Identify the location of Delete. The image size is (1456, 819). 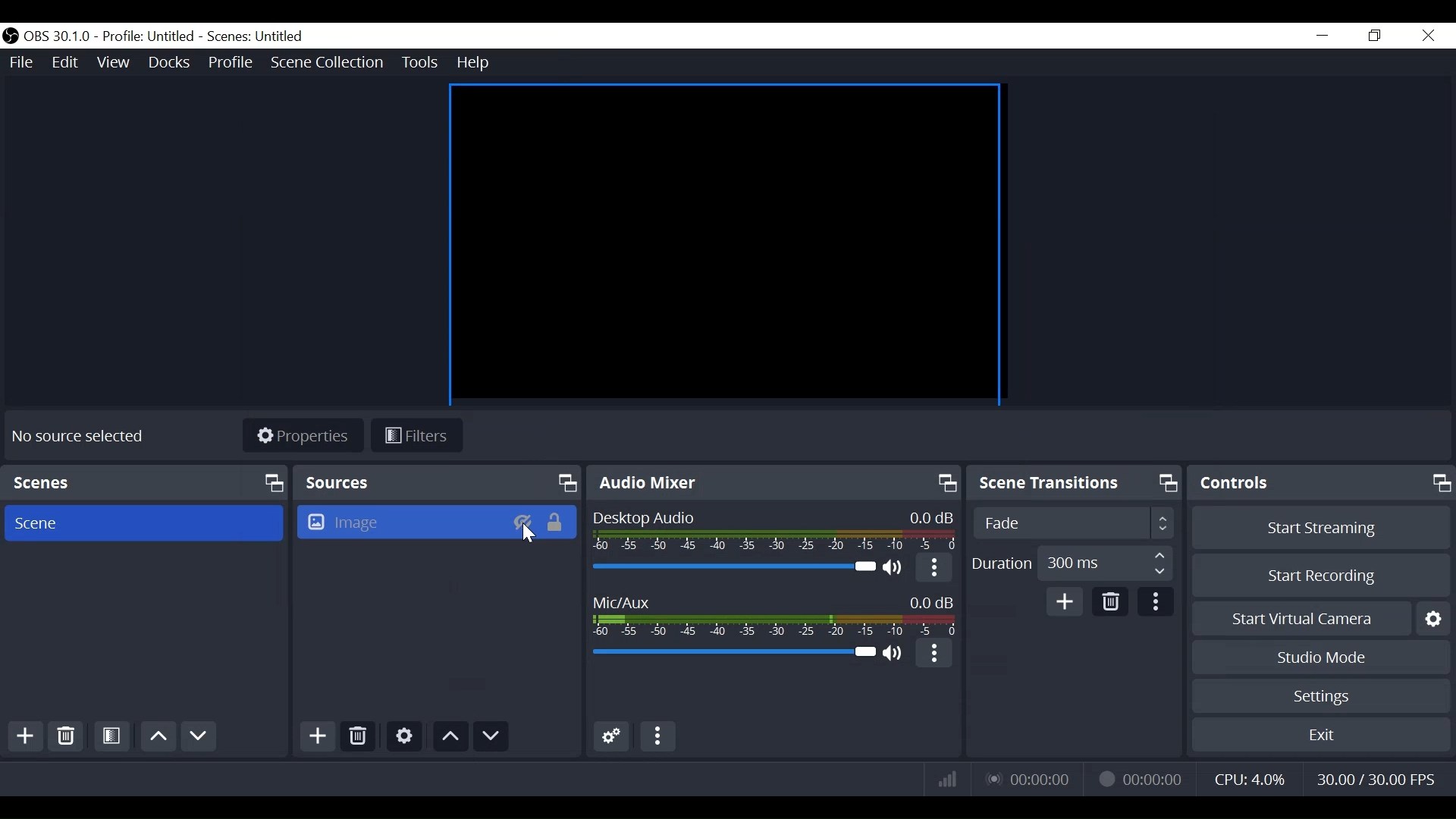
(65, 736).